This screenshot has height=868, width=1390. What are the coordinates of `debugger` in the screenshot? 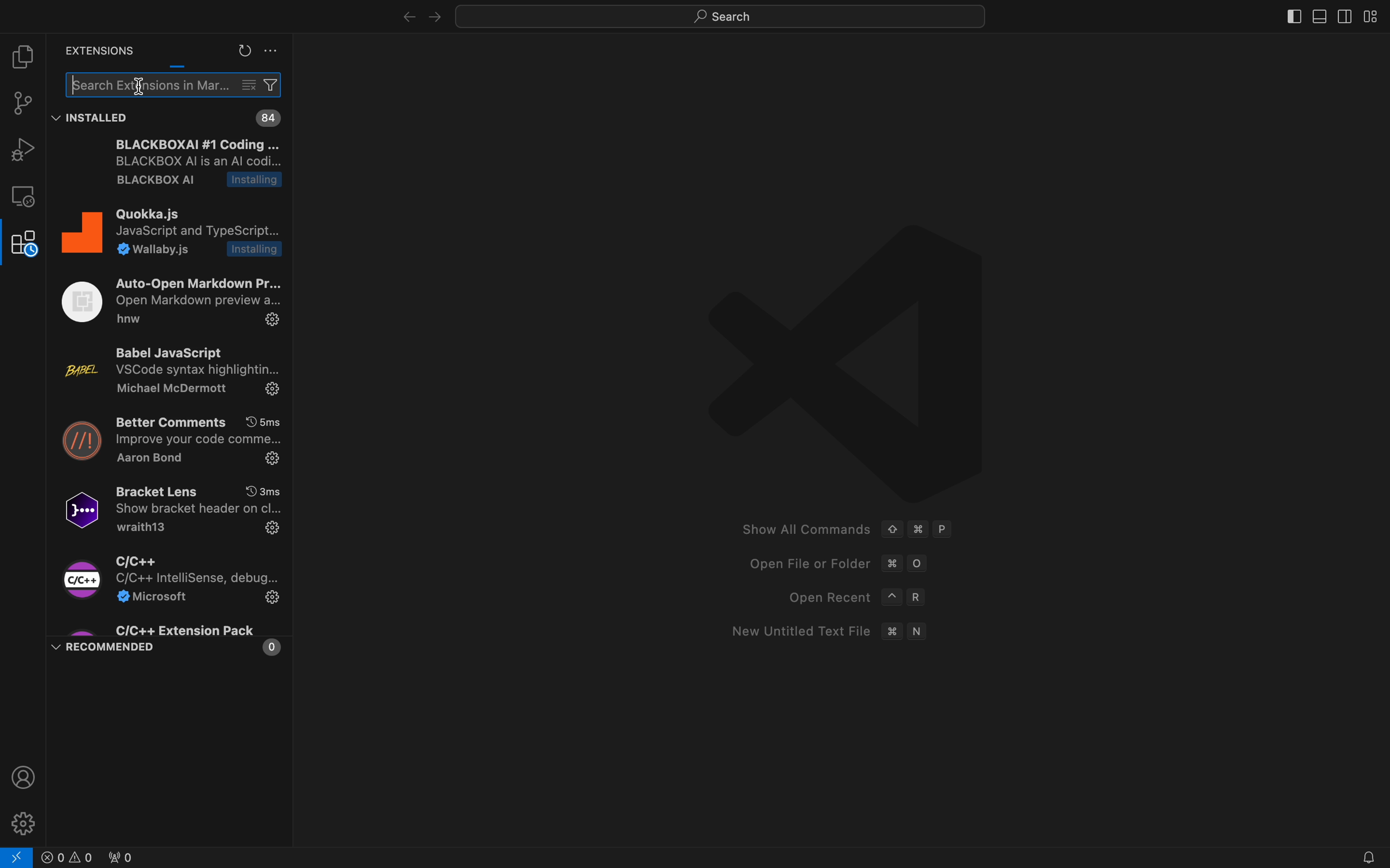 It's located at (23, 149).